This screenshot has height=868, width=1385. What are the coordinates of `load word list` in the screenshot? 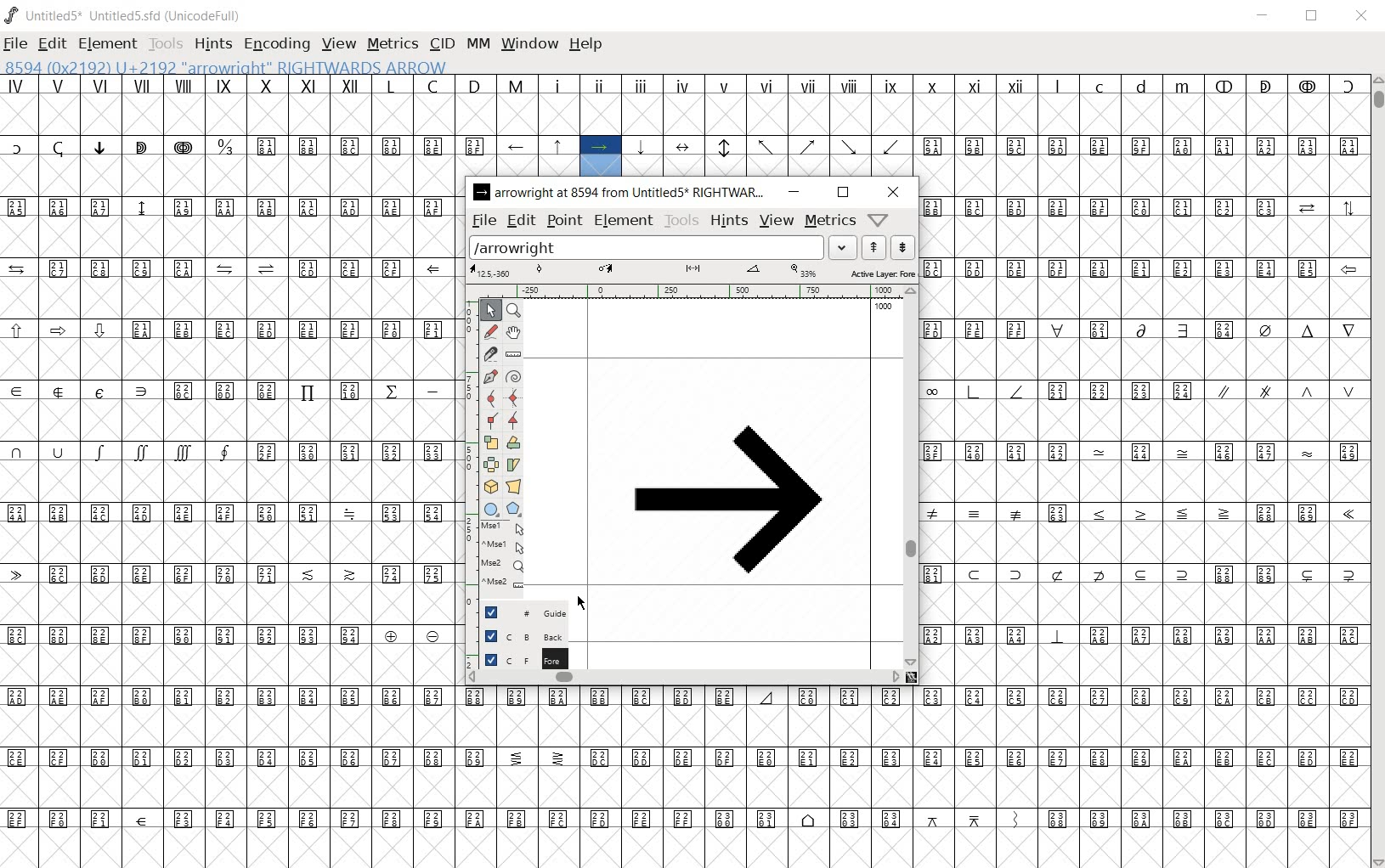 It's located at (661, 247).